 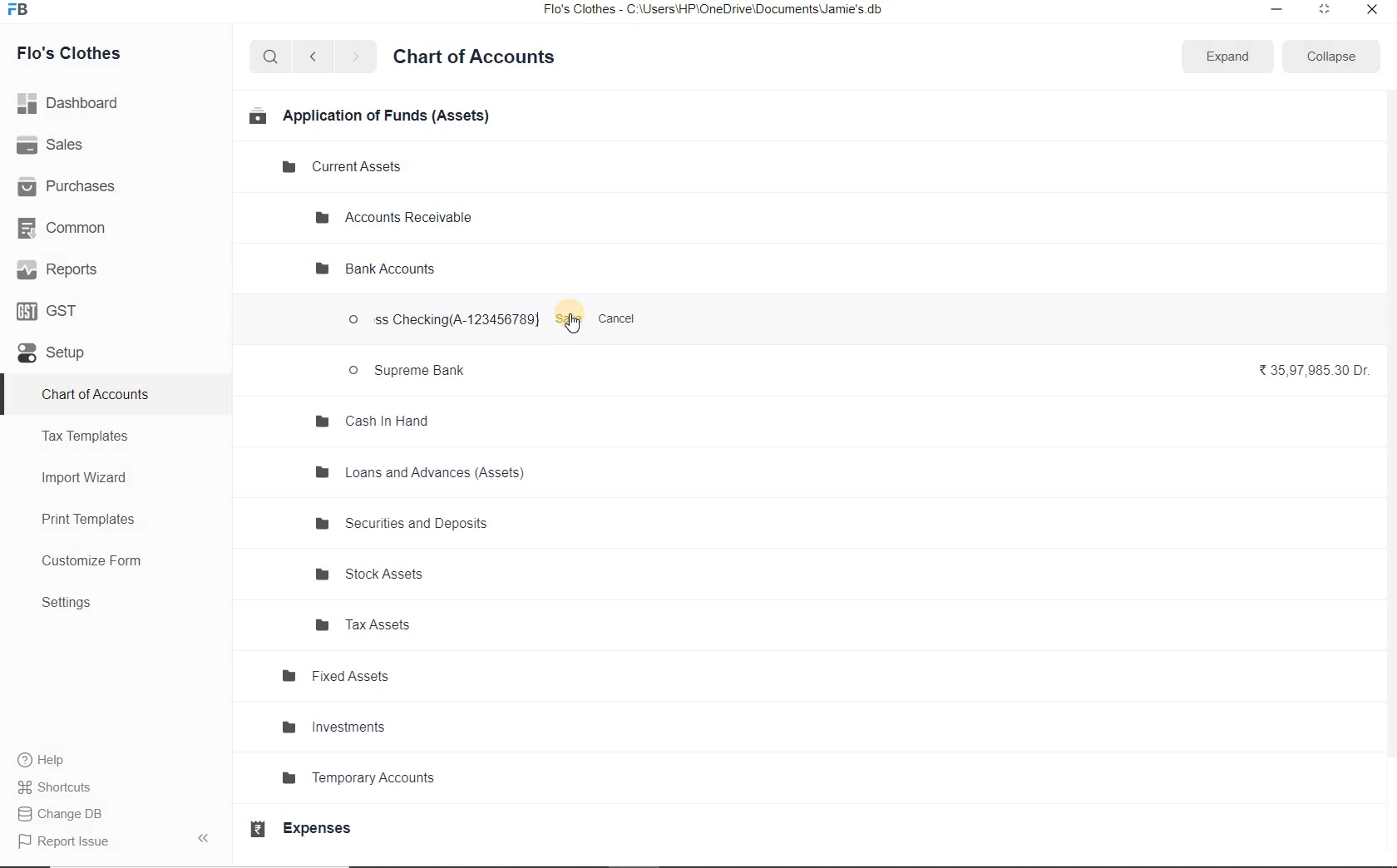 I want to click on Securities and Deposits, so click(x=412, y=523).